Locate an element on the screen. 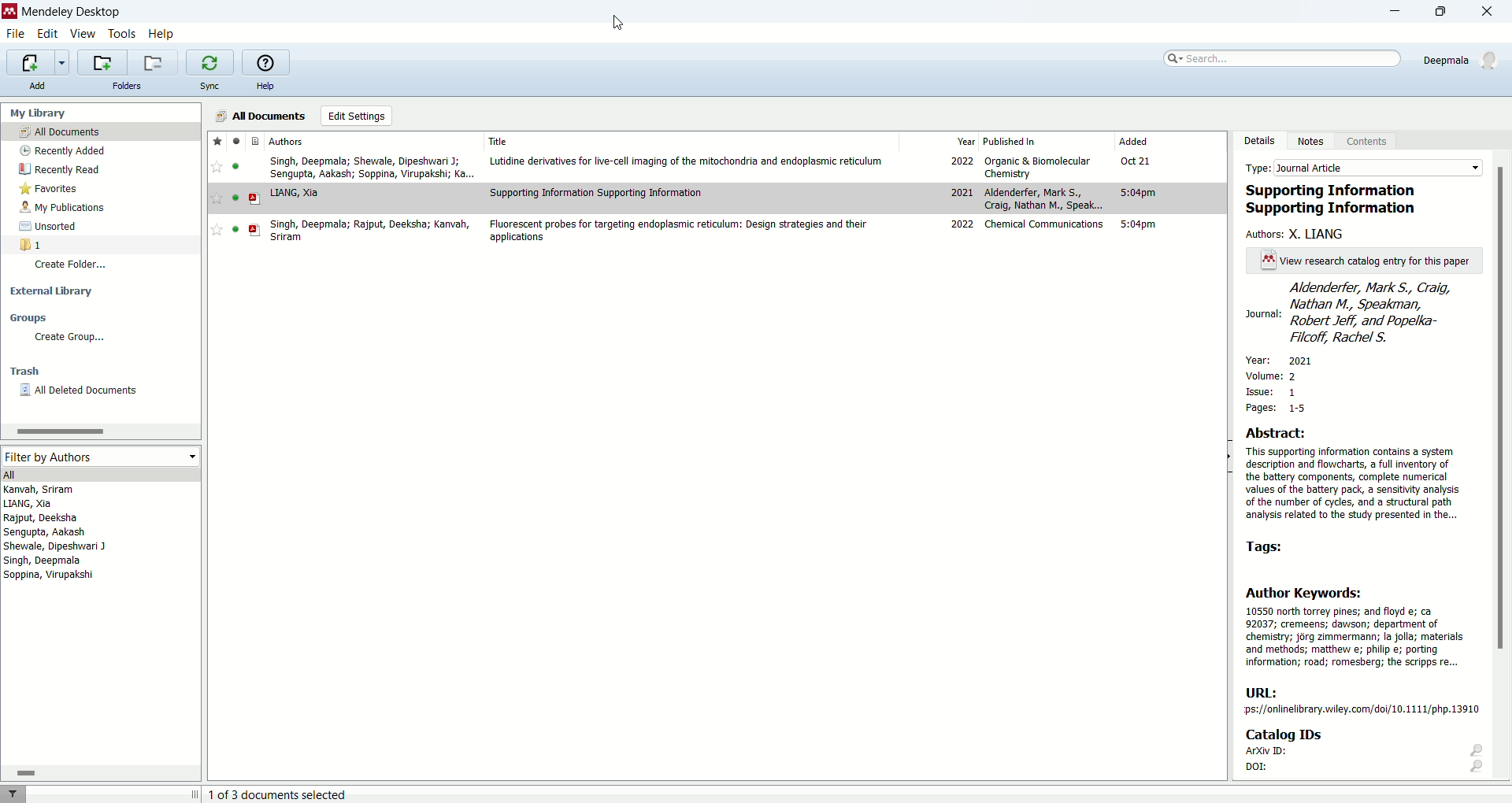  favorite is located at coordinates (217, 198).